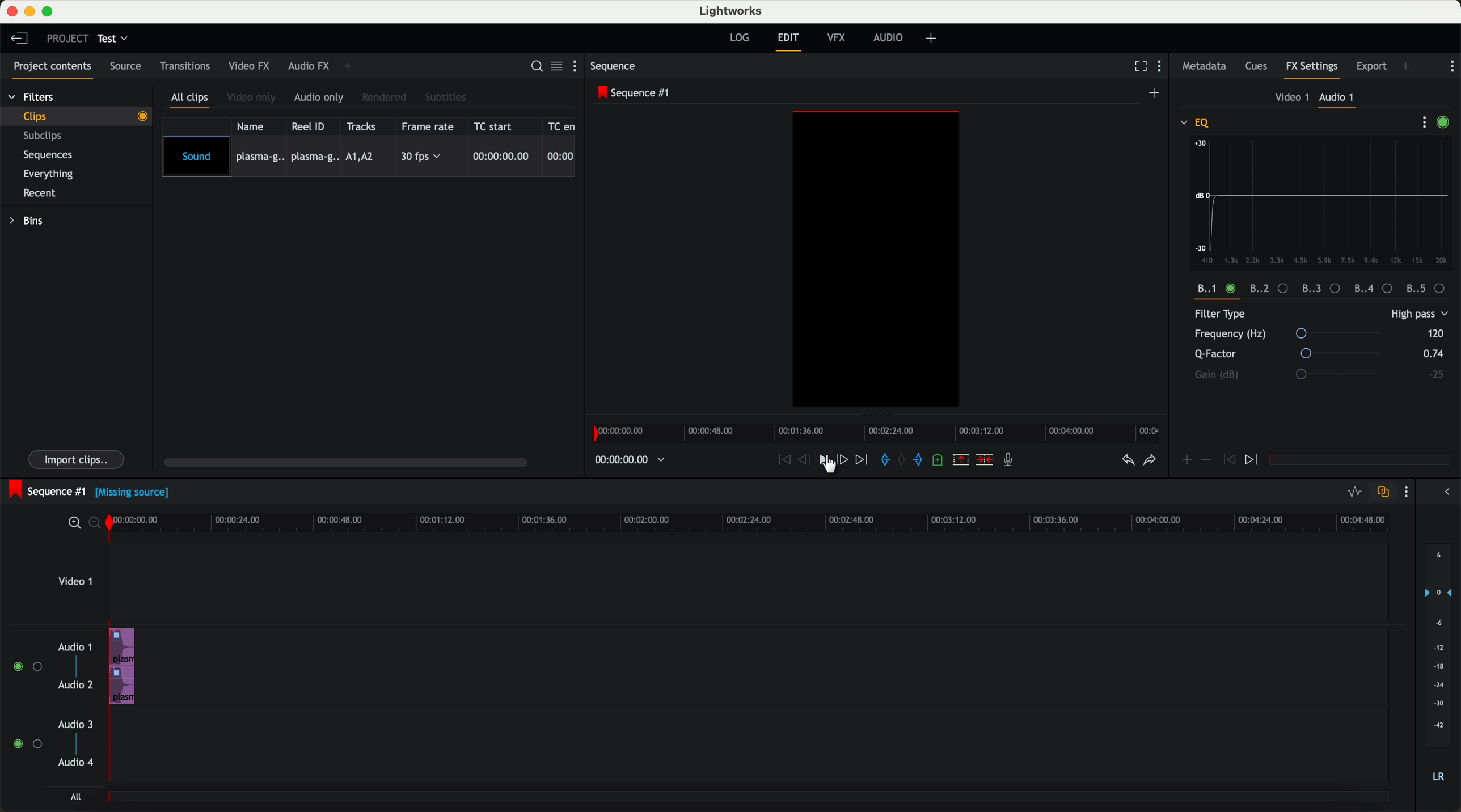 The height and width of the screenshot is (812, 1461). I want to click on high pass, so click(1418, 315).